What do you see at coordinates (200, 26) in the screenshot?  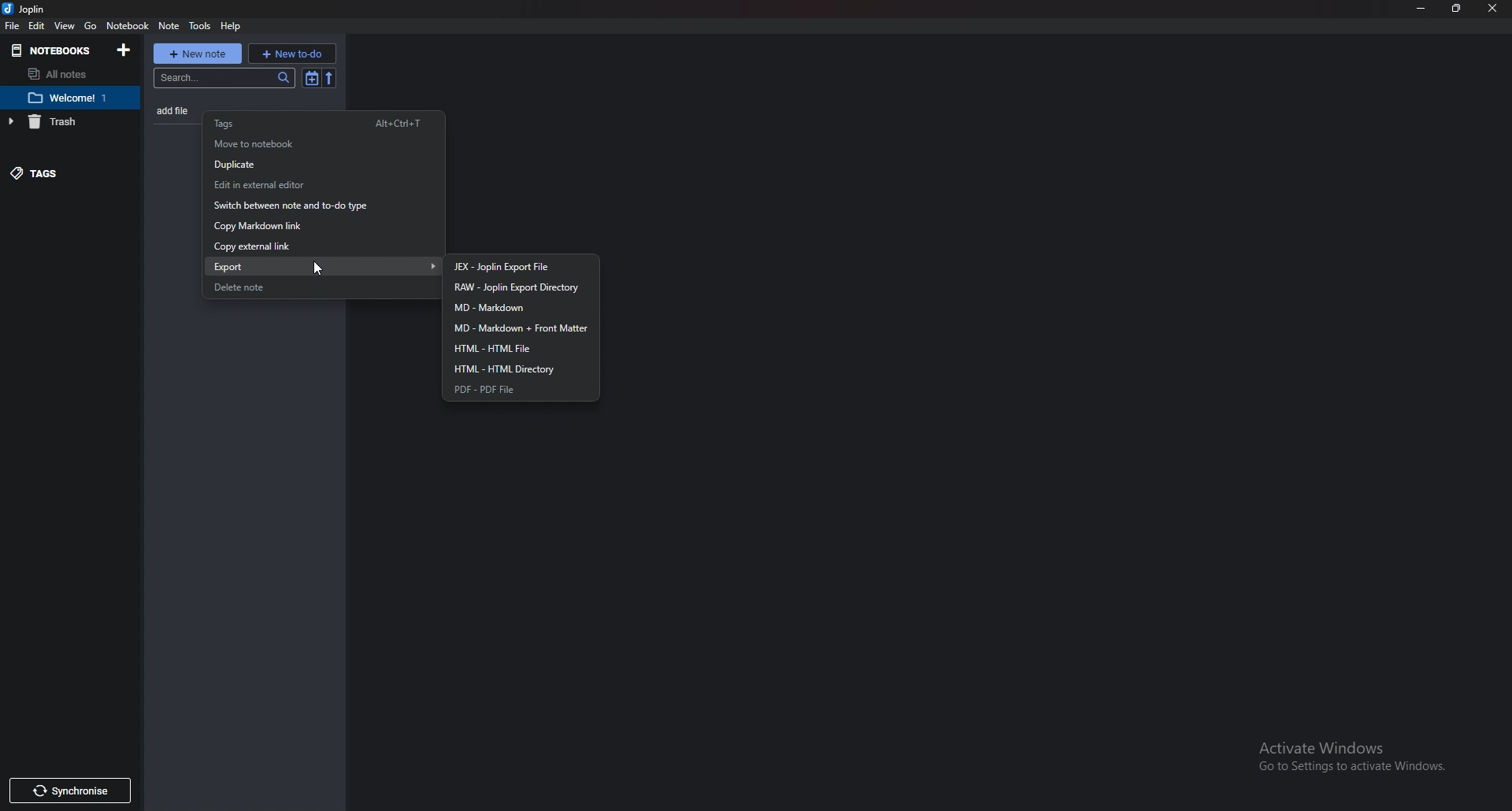 I see `Tools` at bounding box center [200, 26].